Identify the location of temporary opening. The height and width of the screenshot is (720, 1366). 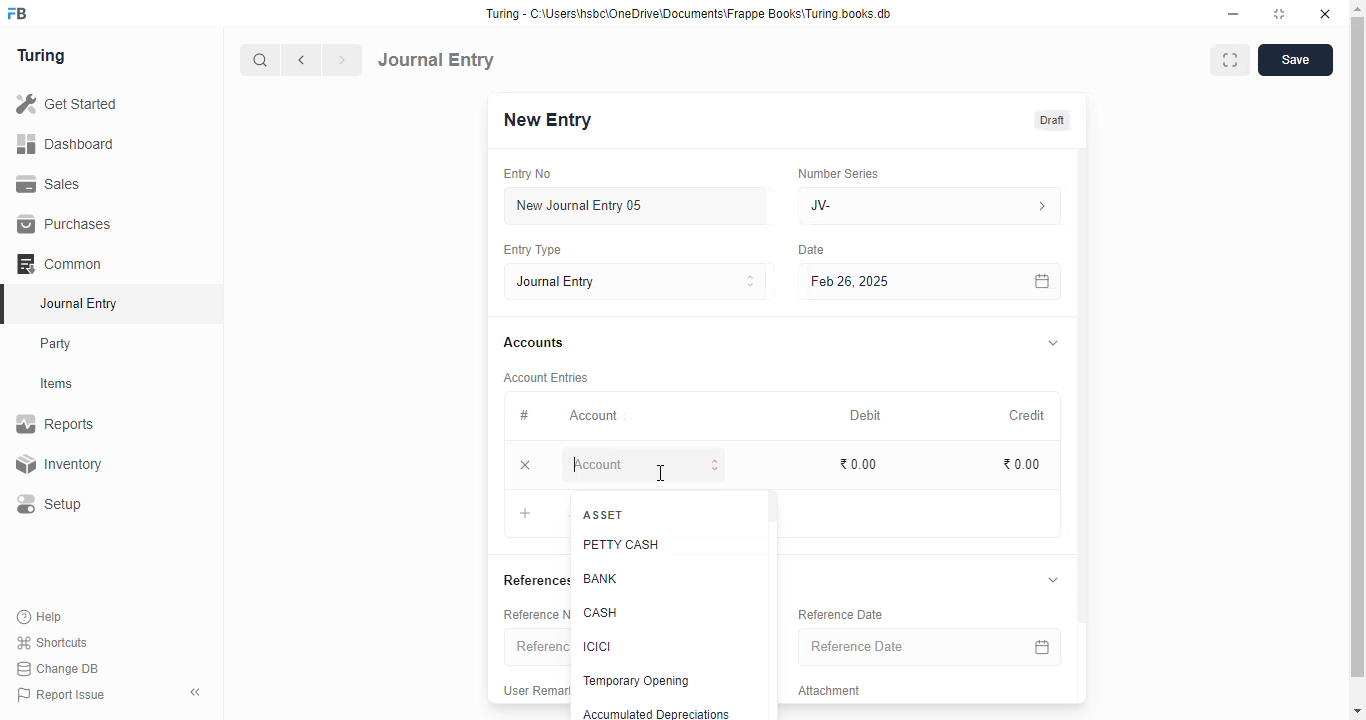
(635, 680).